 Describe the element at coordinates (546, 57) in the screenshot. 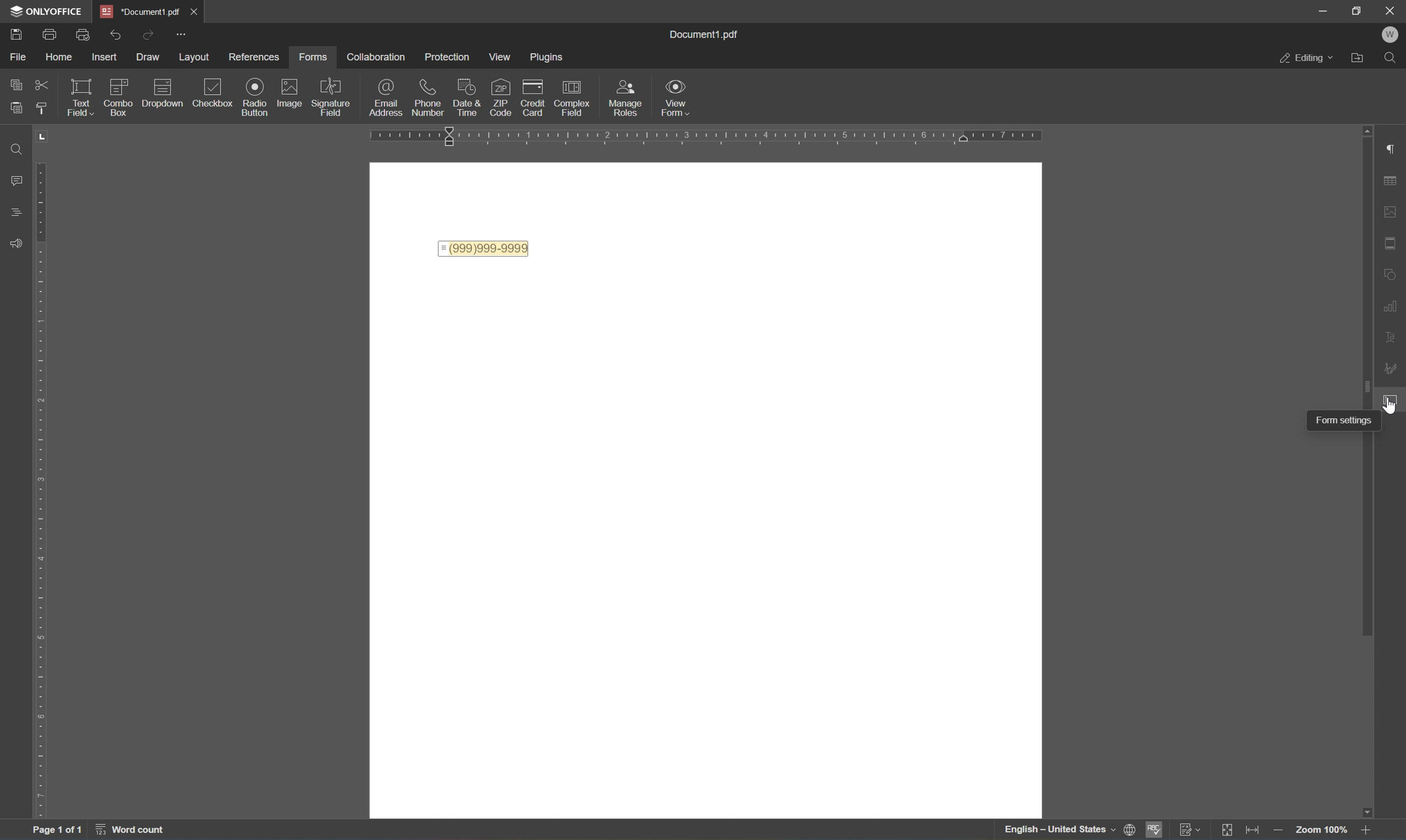

I see `plugins` at that location.